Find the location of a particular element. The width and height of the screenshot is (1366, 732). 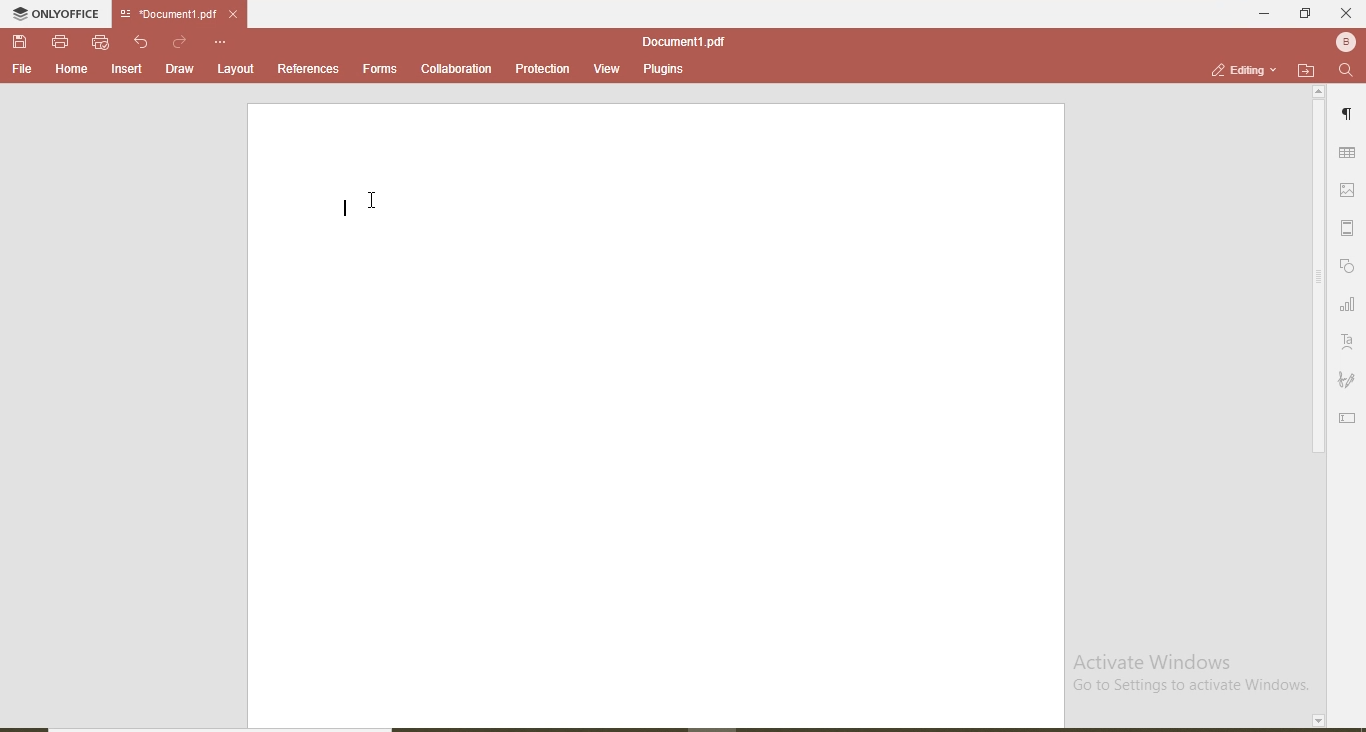

page down is located at coordinates (1316, 721).